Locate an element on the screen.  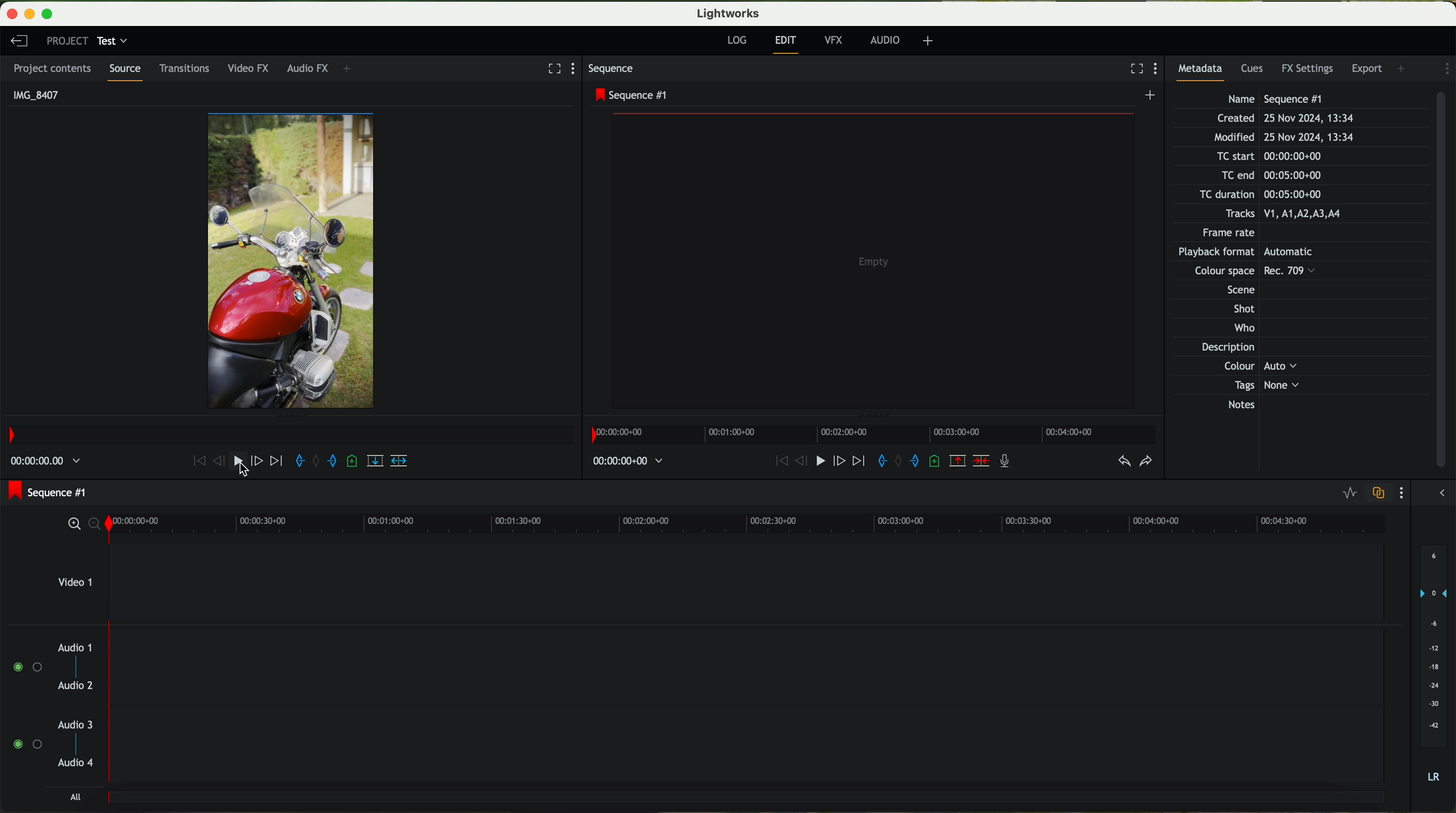
Tags None is located at coordinates (1263, 385).